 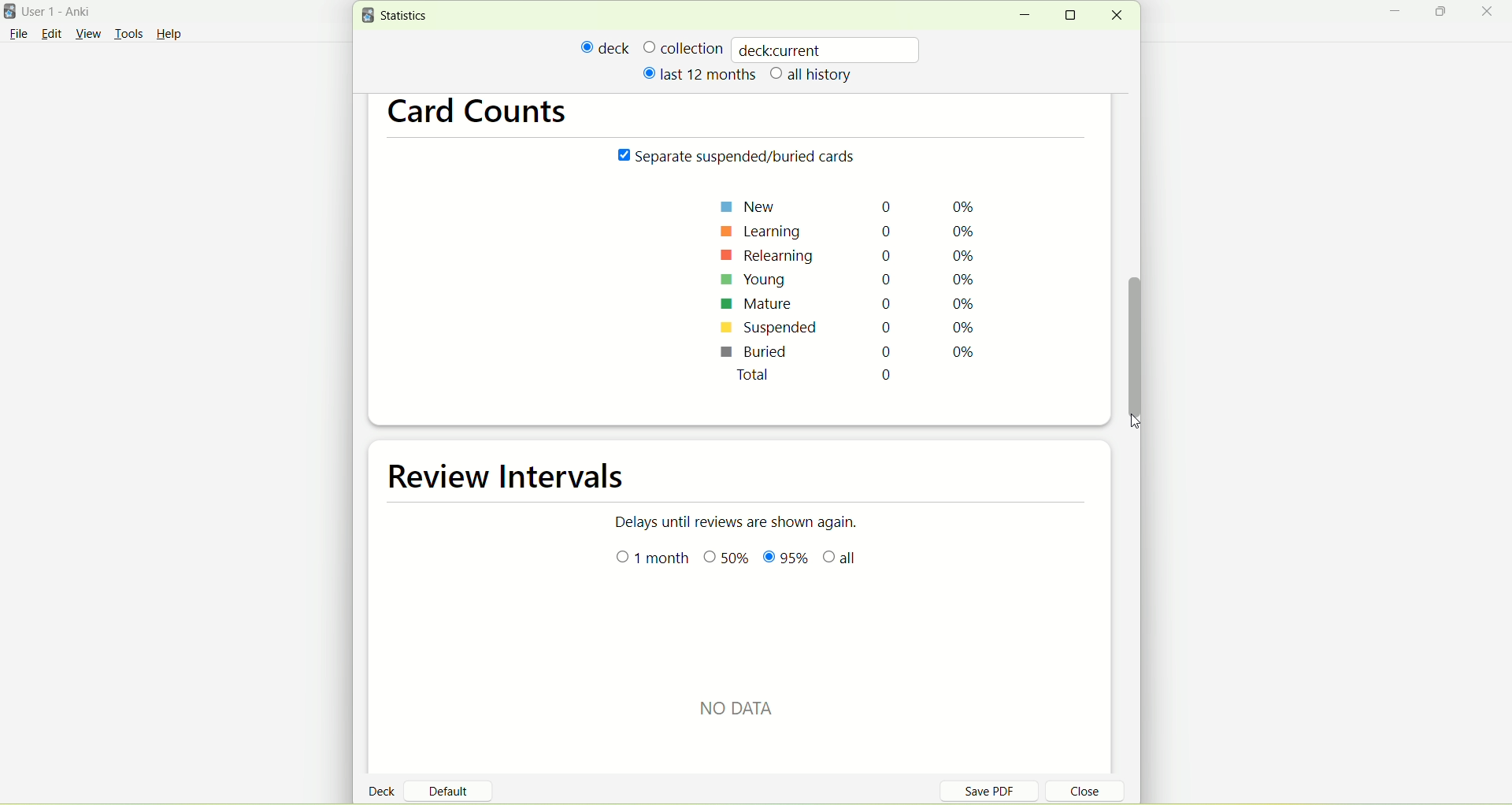 I want to click on User 1- Anki, so click(x=67, y=14).